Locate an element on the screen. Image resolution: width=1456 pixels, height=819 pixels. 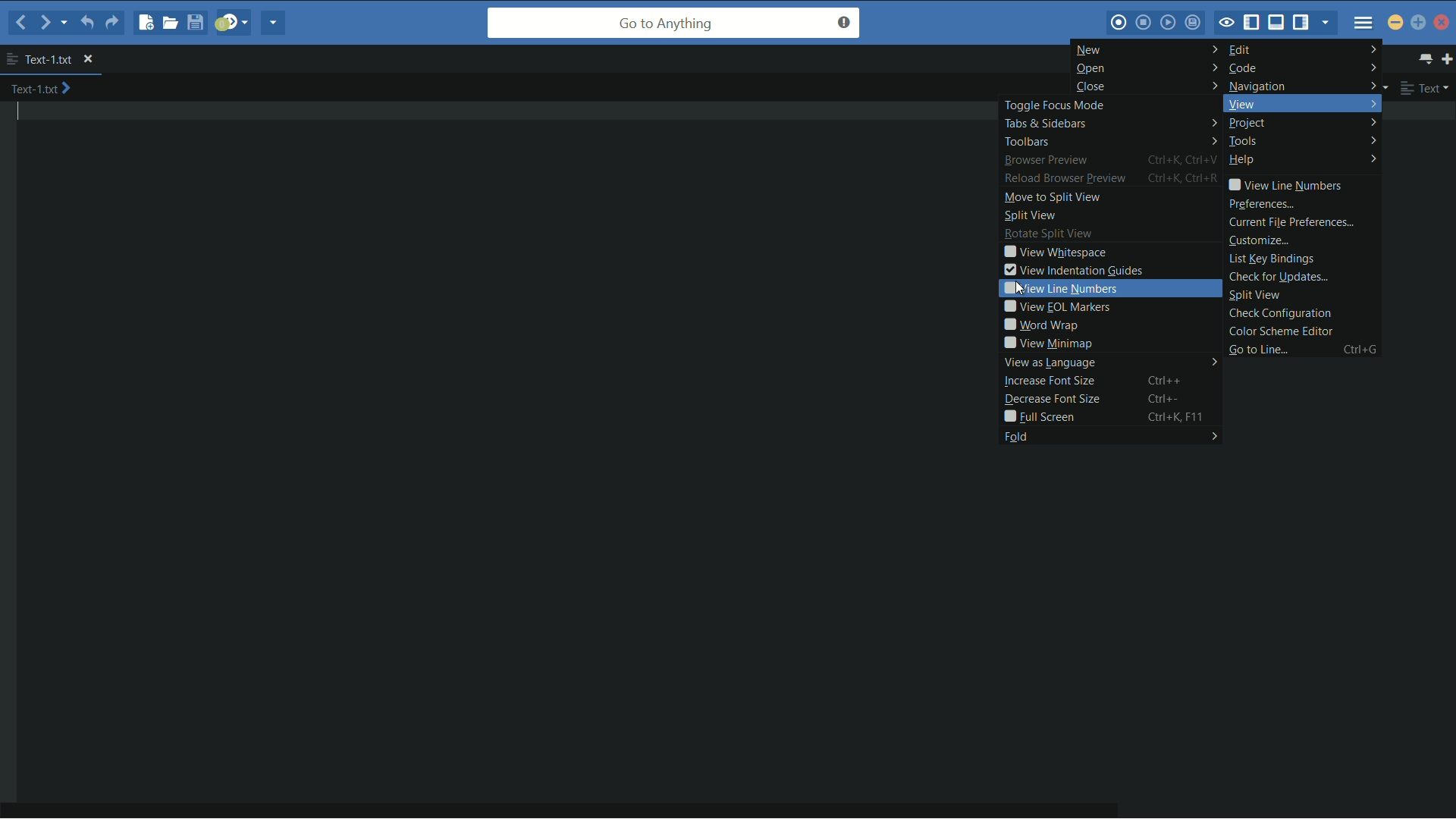
show all tabs is located at coordinates (1423, 58).